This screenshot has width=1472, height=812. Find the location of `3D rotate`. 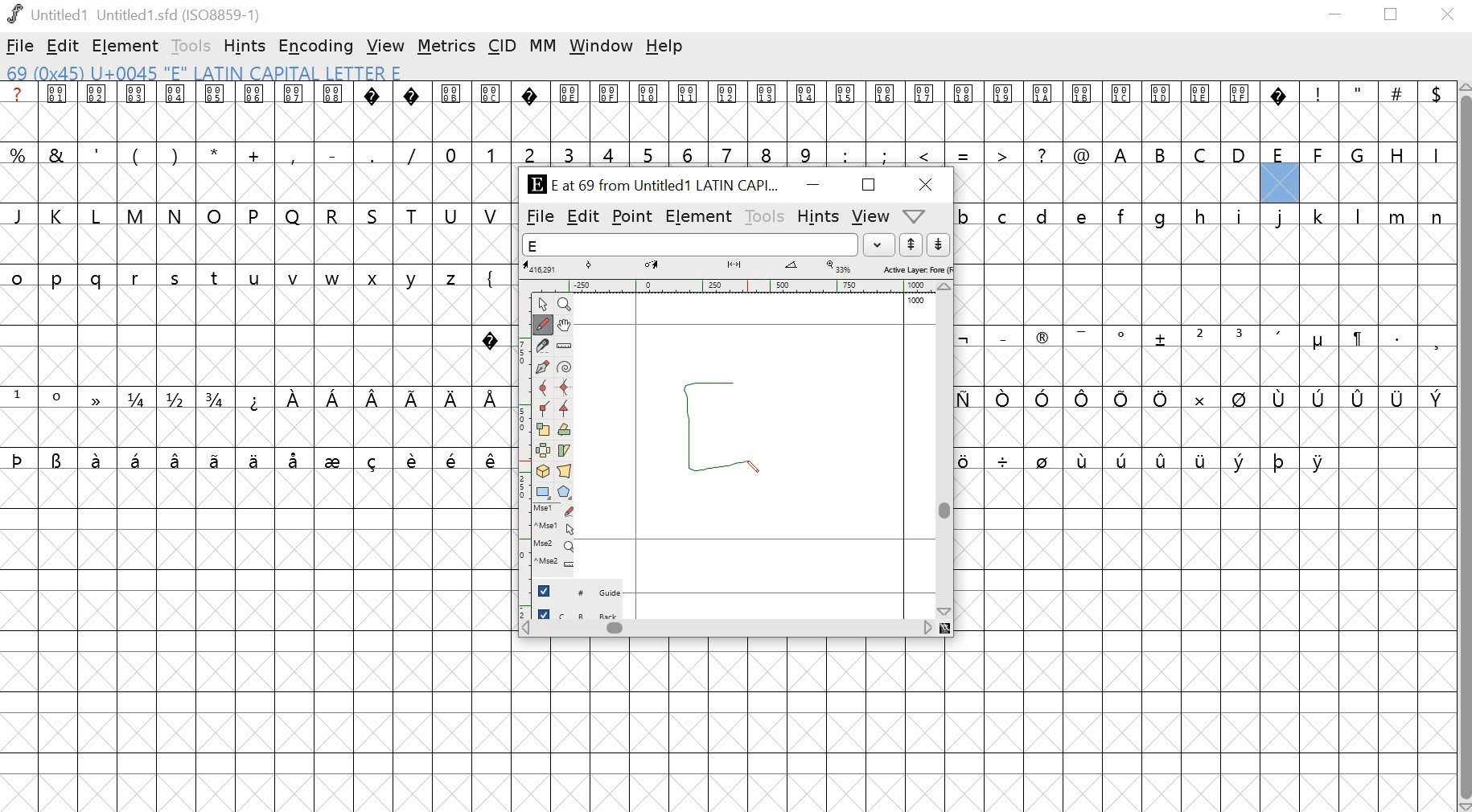

3D rotate is located at coordinates (543, 473).